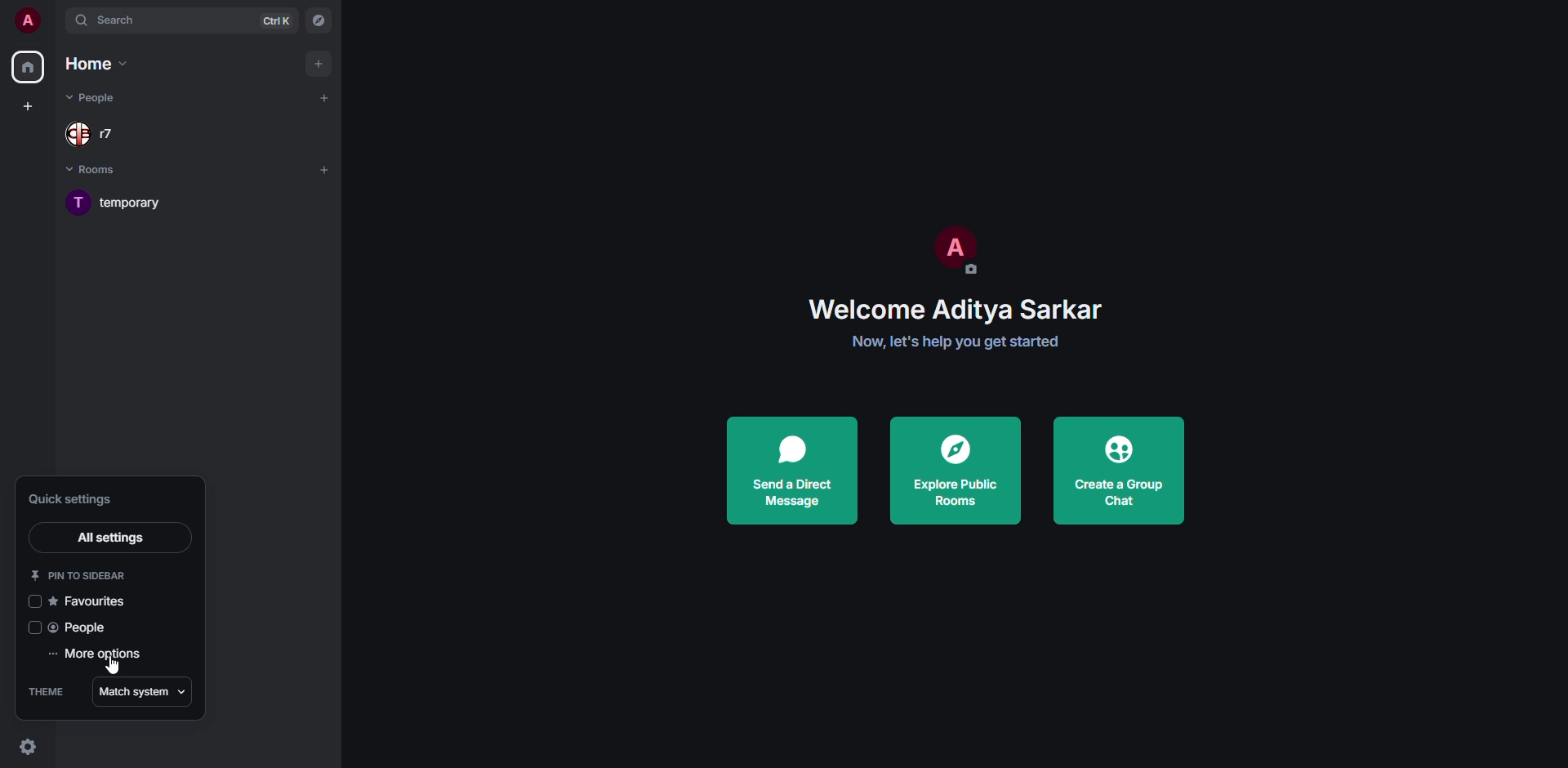  I want to click on quick settings, so click(76, 498).